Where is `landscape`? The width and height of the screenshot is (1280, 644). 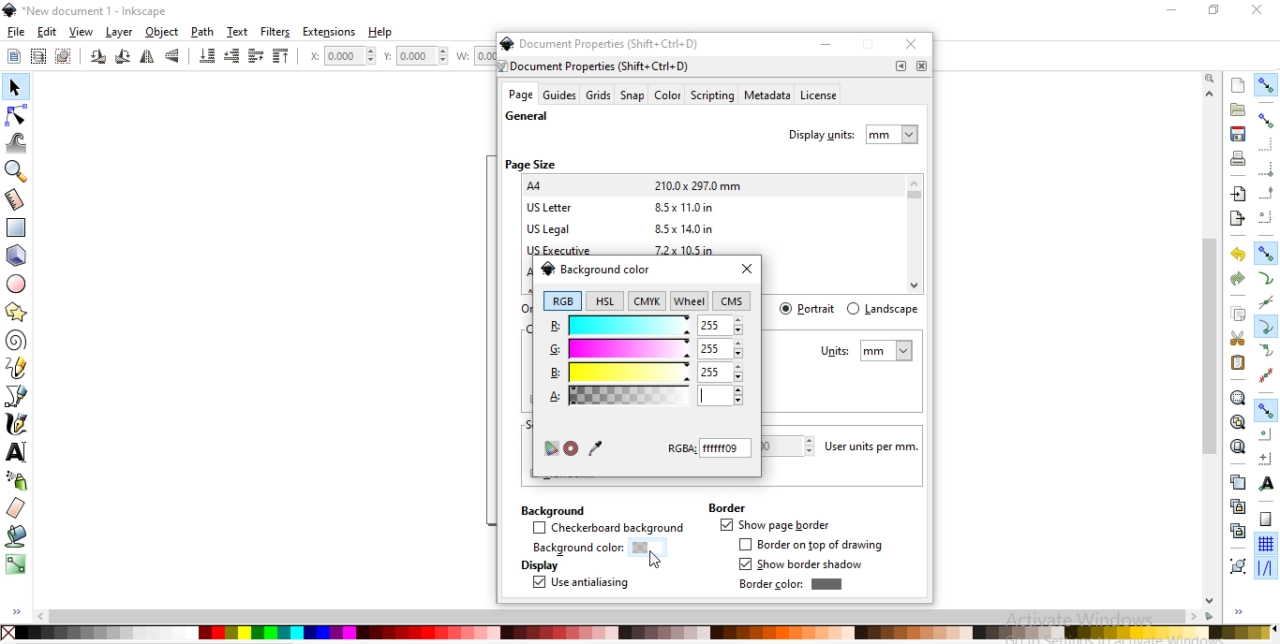
landscape is located at coordinates (882, 309).